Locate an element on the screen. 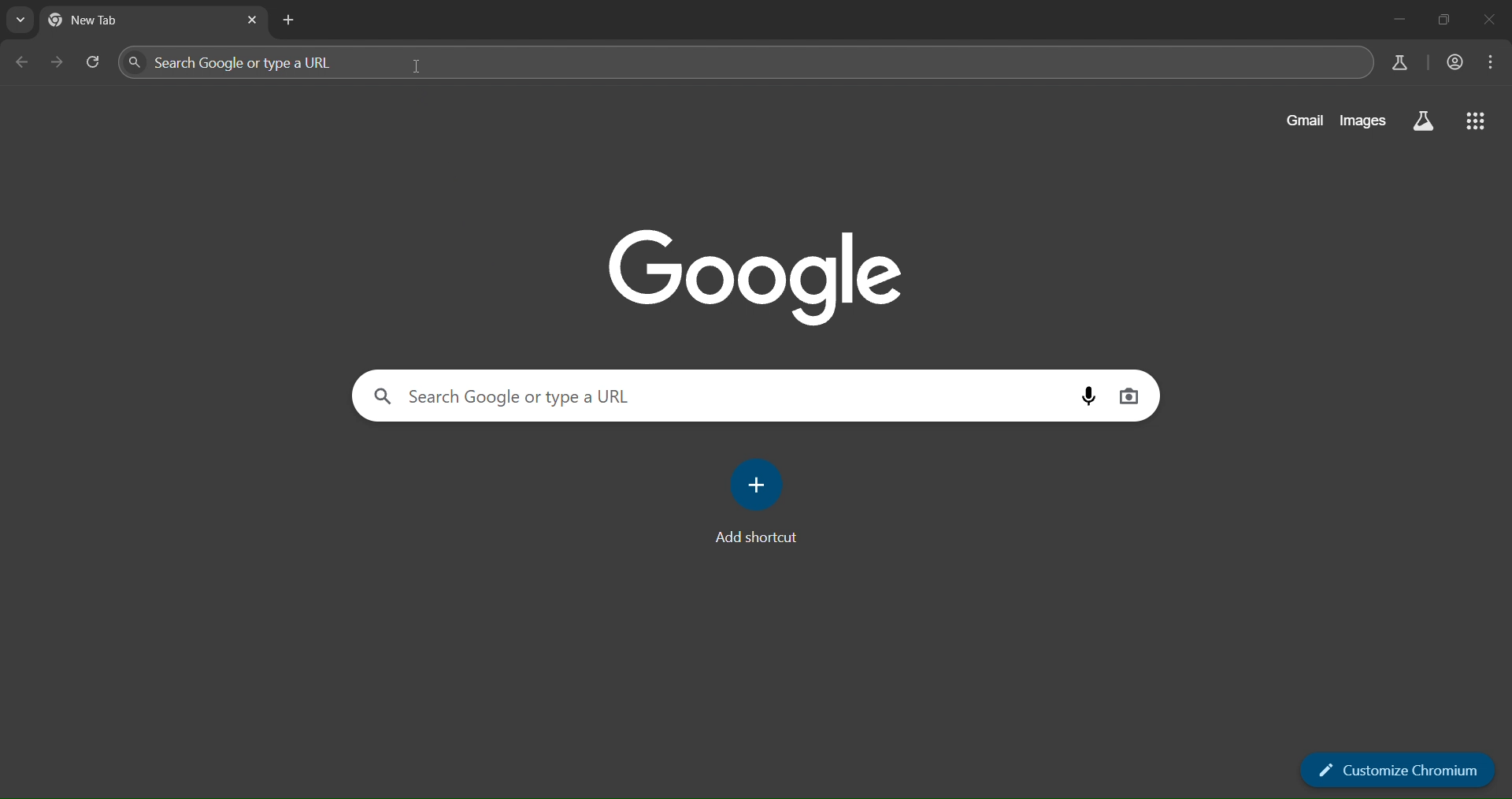 This screenshot has width=1512, height=799. go forward one page is located at coordinates (61, 62).